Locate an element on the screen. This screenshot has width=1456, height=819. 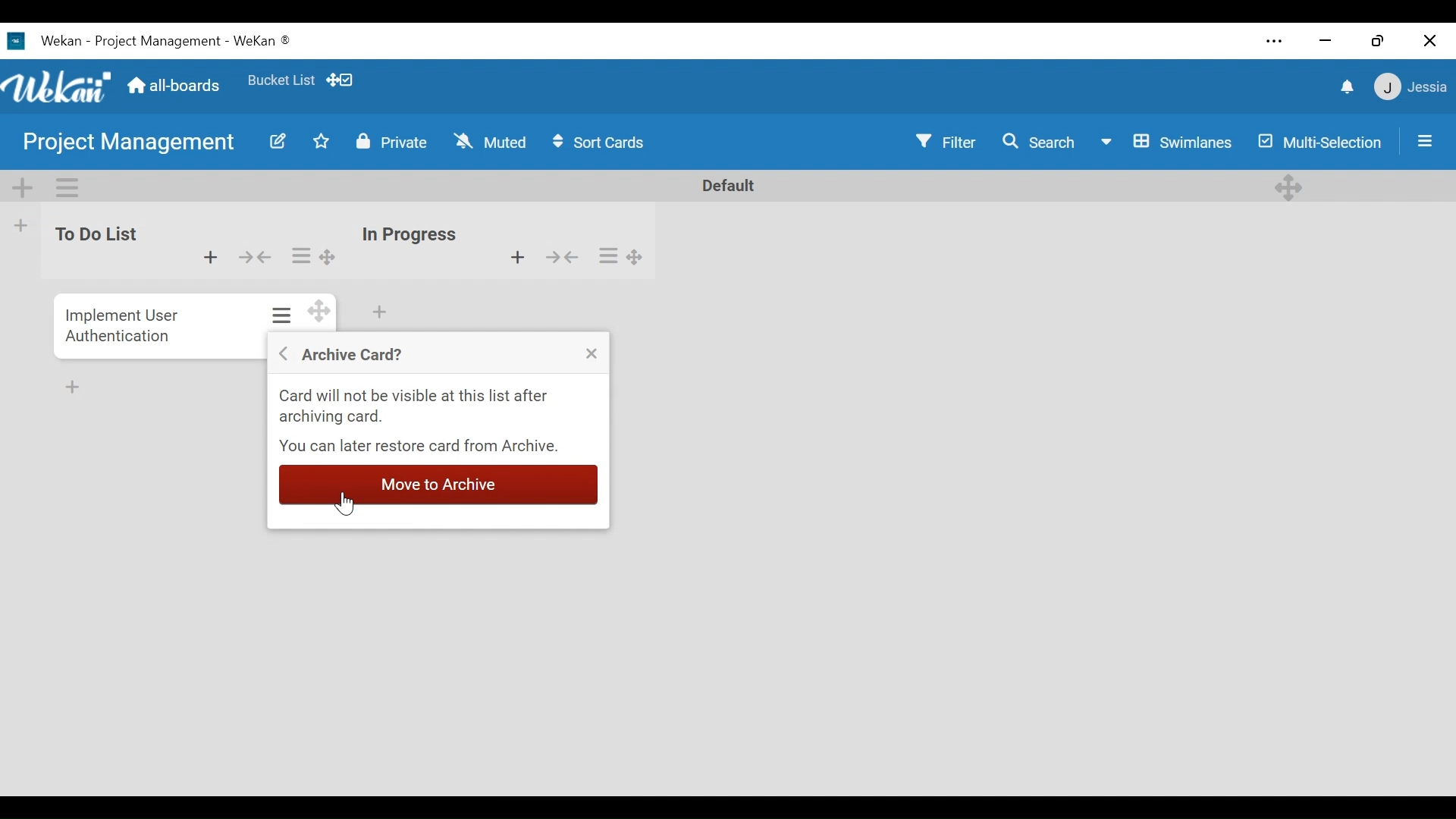
Multi-Selection is located at coordinates (1319, 141).